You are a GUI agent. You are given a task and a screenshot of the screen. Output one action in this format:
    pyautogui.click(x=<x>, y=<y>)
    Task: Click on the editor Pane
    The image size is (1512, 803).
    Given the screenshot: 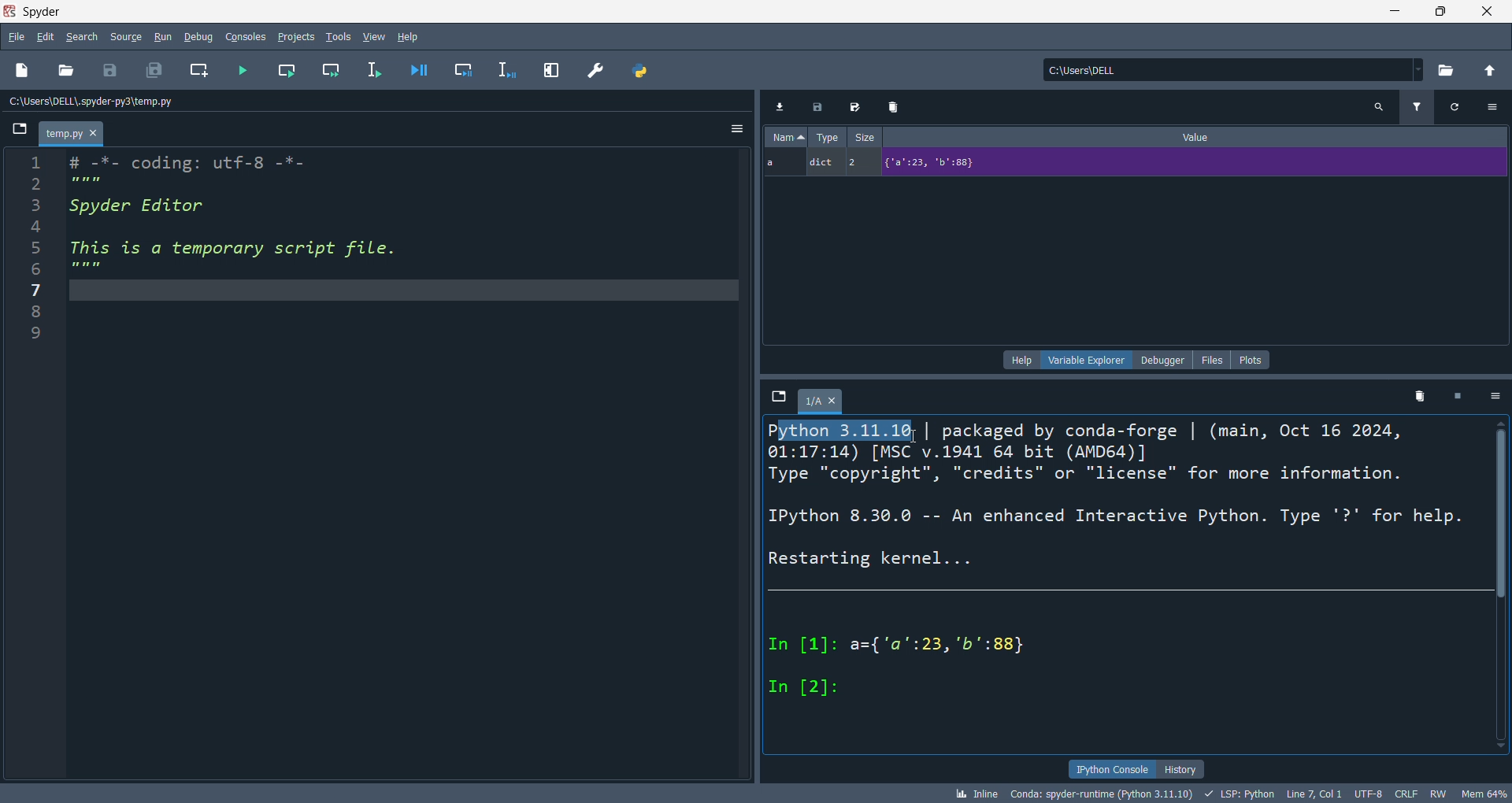 What is the action you would take?
    pyautogui.click(x=406, y=466)
    